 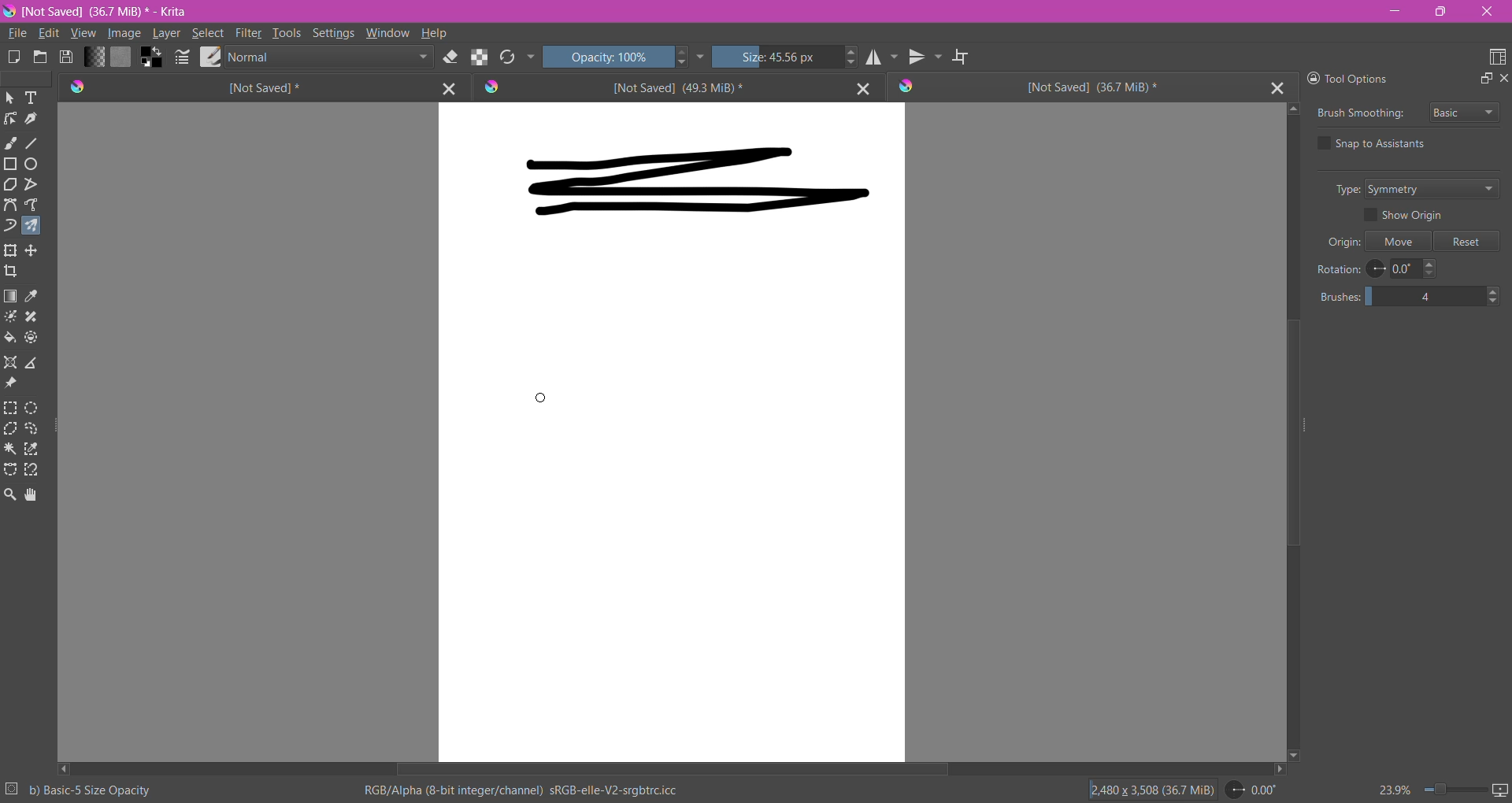 I want to click on Reset, so click(x=1466, y=242).